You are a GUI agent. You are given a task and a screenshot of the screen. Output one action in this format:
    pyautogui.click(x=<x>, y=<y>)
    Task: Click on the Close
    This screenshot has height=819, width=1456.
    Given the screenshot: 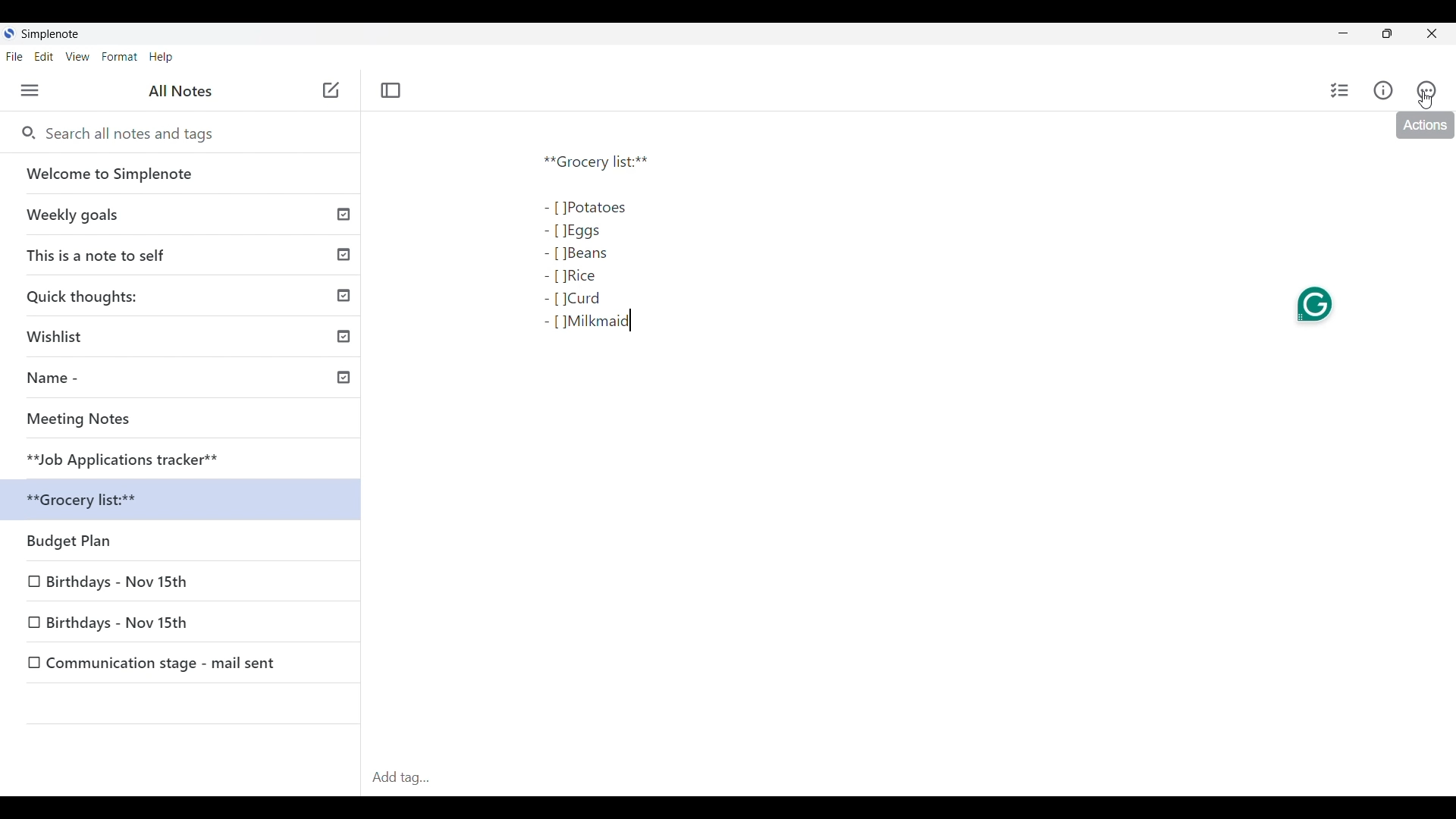 What is the action you would take?
    pyautogui.click(x=1431, y=33)
    